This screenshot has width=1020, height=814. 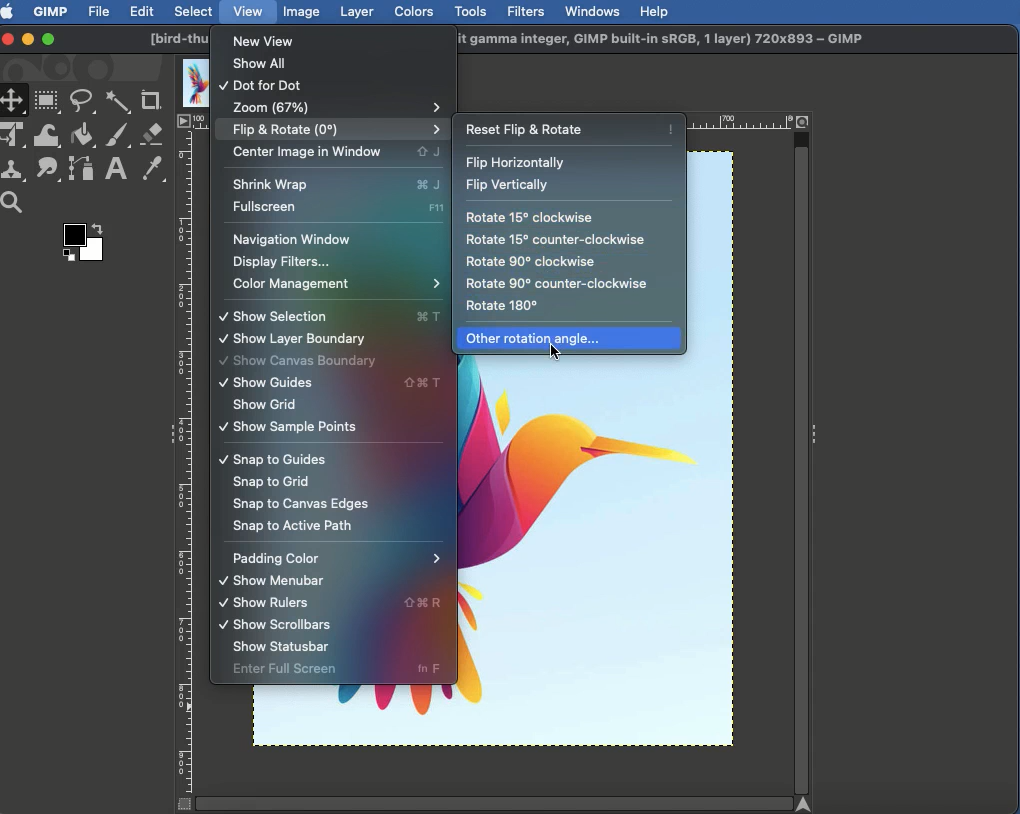 I want to click on Smudge tool, so click(x=45, y=169).